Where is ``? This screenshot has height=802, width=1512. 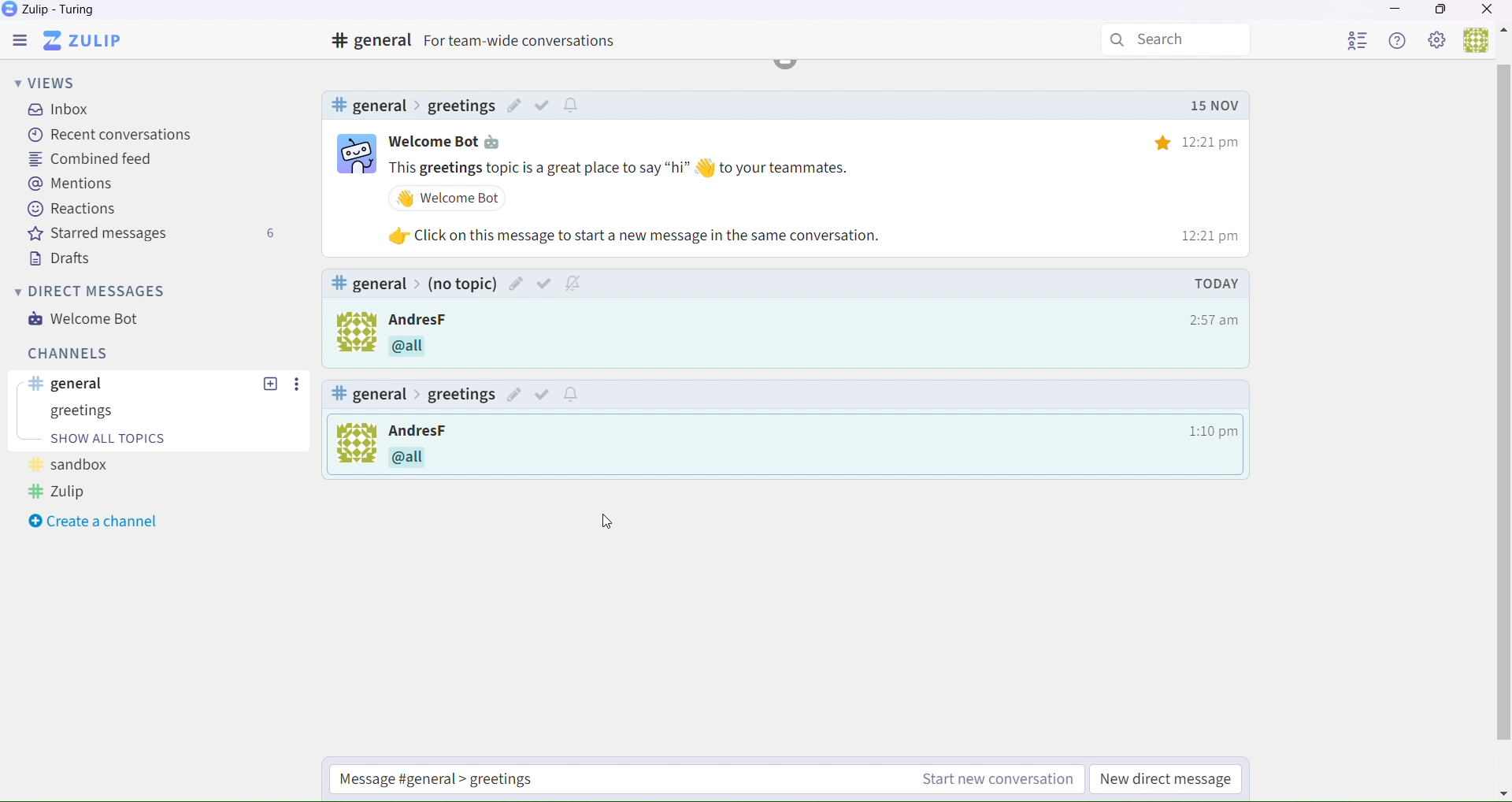  is located at coordinates (543, 105).